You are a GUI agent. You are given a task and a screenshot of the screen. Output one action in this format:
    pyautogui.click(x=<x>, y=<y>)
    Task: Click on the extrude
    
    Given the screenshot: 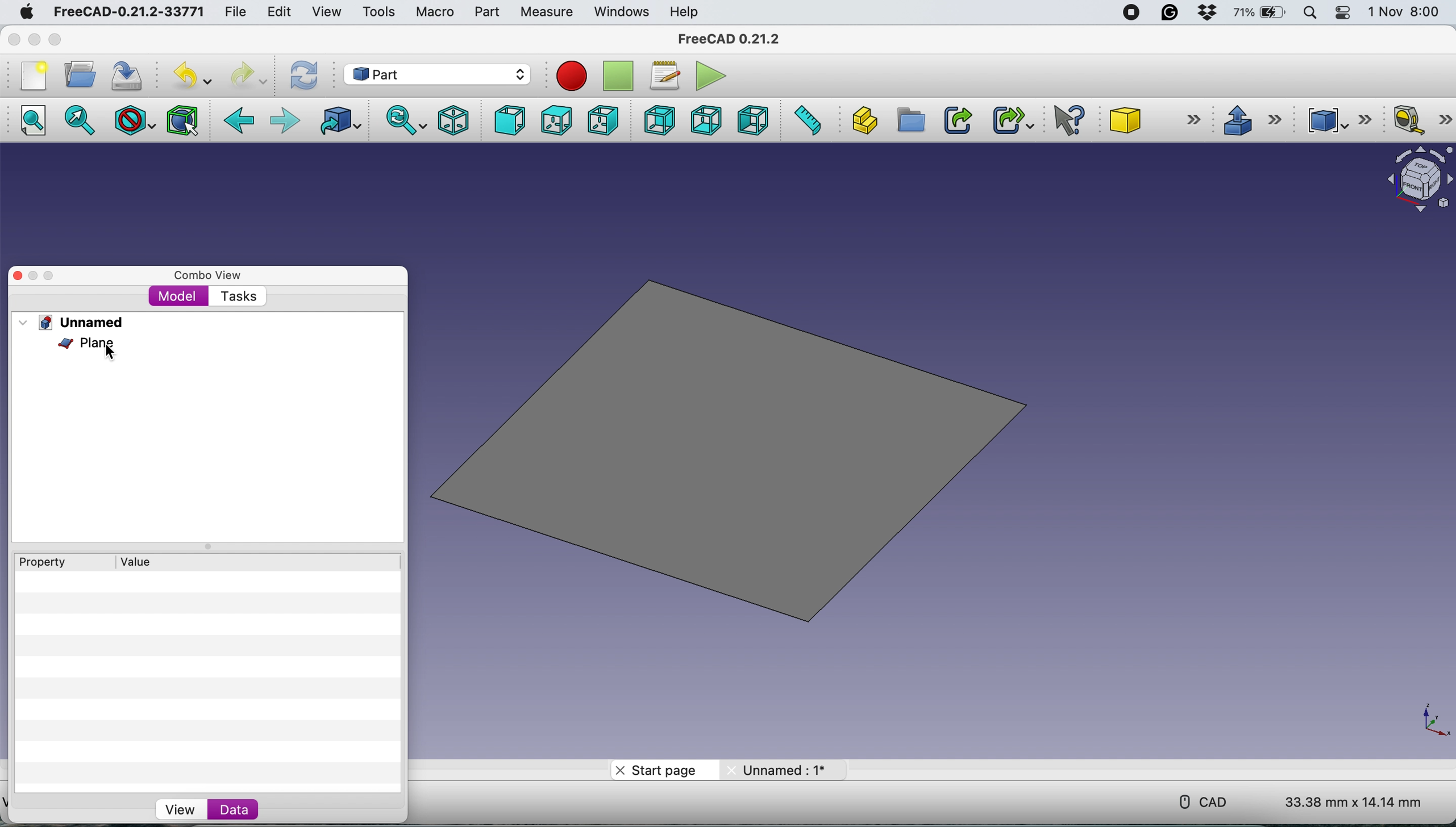 What is the action you would take?
    pyautogui.click(x=1255, y=120)
    